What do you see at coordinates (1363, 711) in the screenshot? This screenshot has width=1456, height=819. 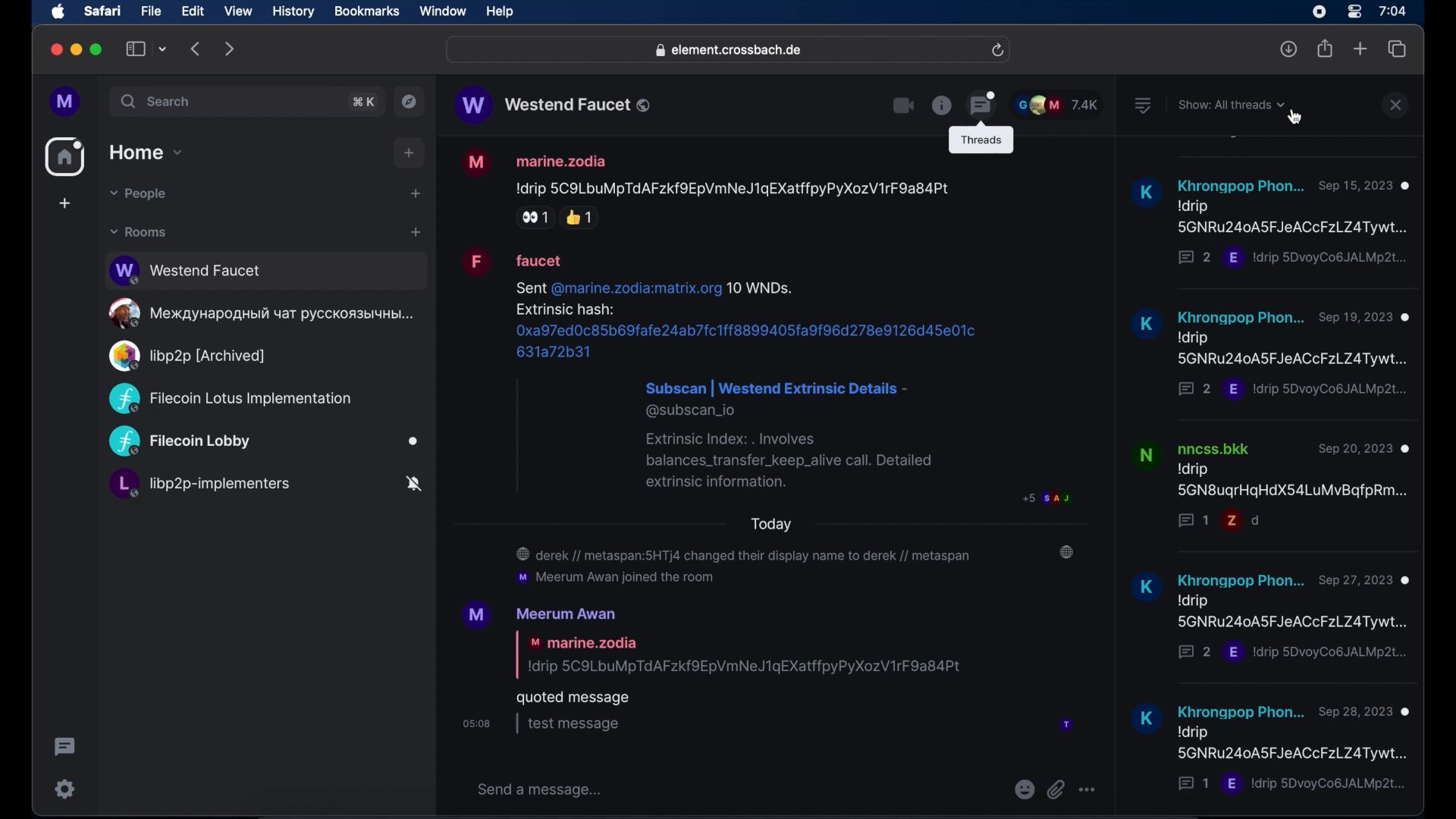 I see `Sep28. 2023 ©` at bounding box center [1363, 711].